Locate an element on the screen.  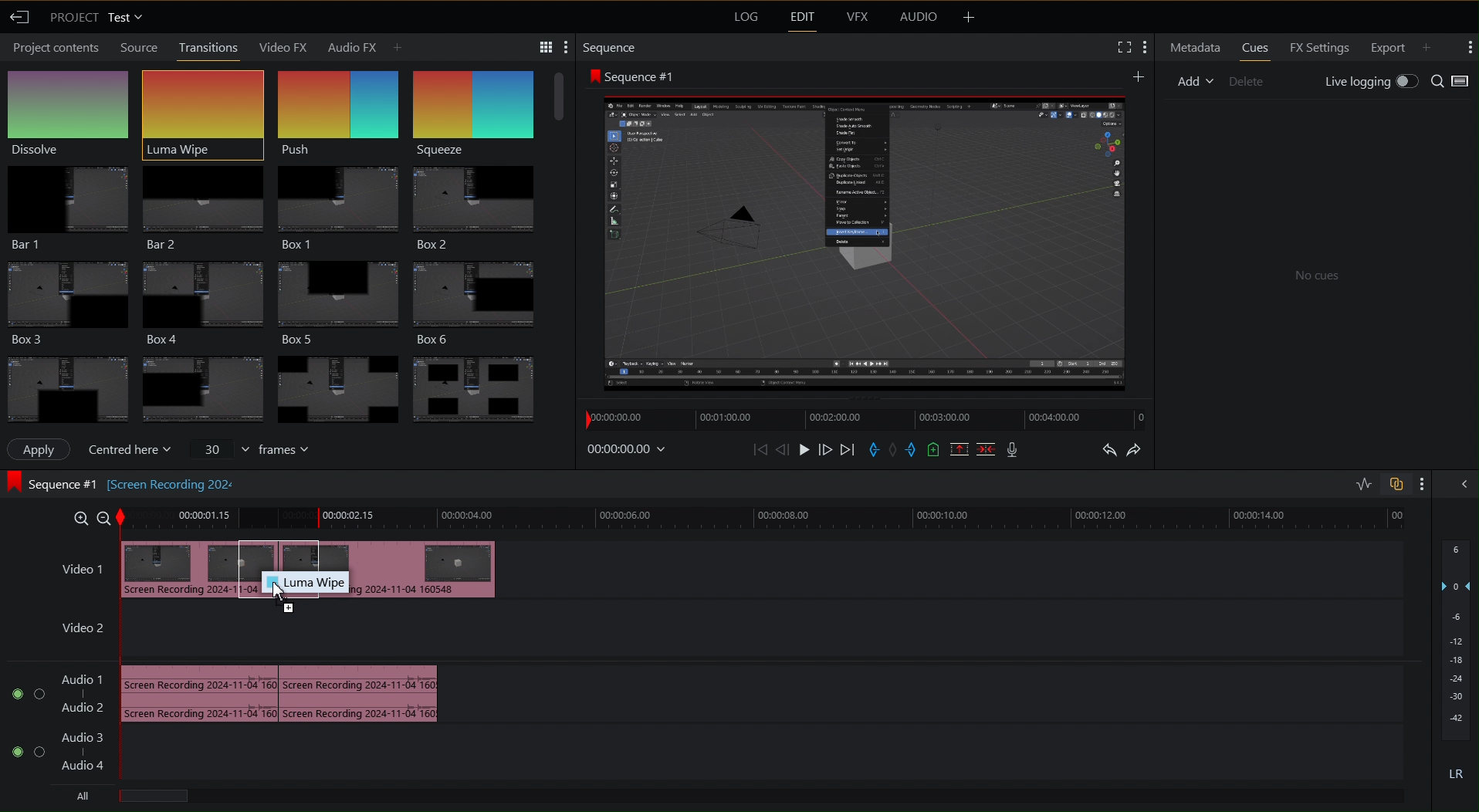
Box 6 is located at coordinates (485, 297).